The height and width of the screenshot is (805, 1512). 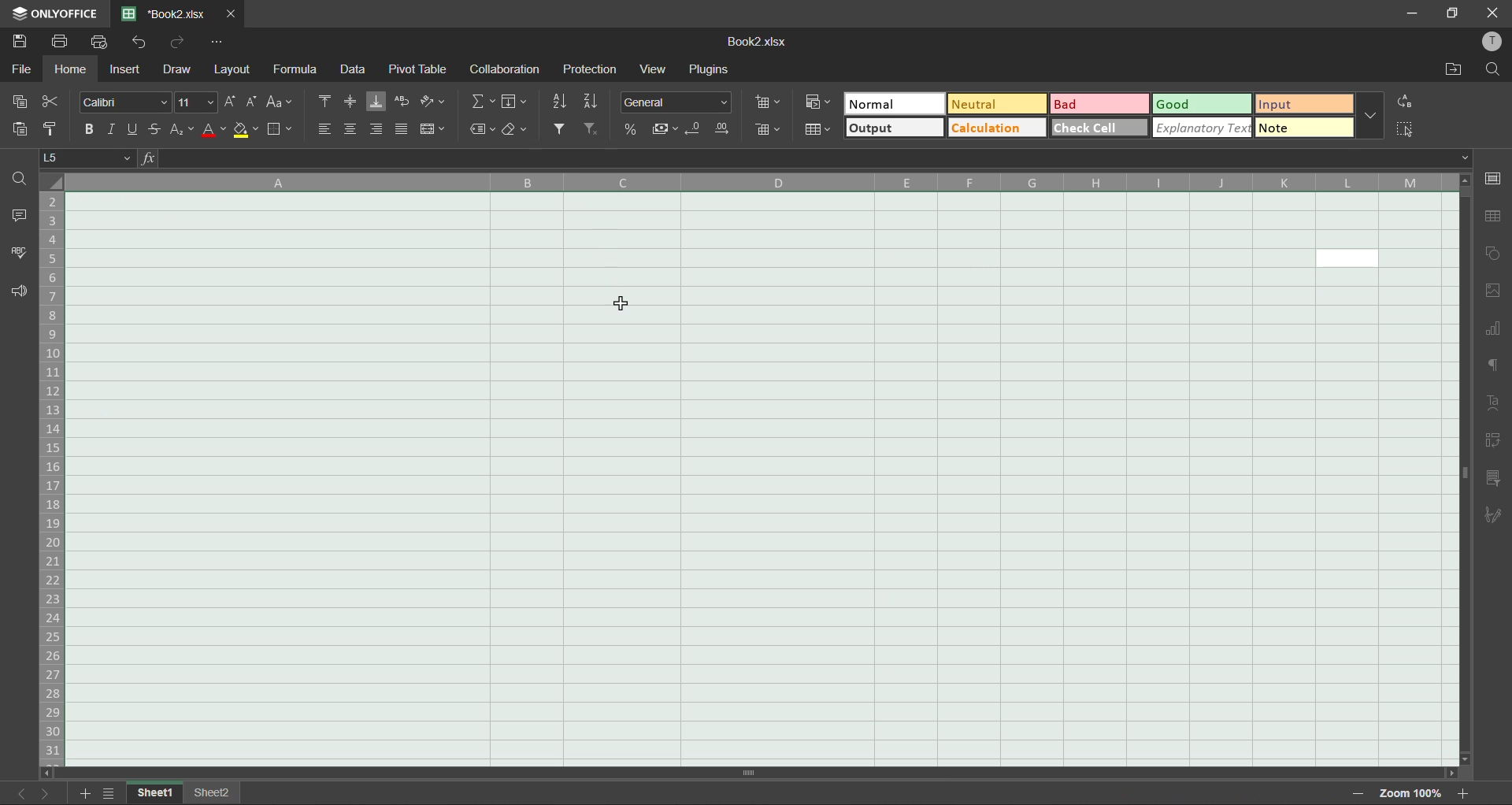 I want to click on call settings, so click(x=1492, y=178).